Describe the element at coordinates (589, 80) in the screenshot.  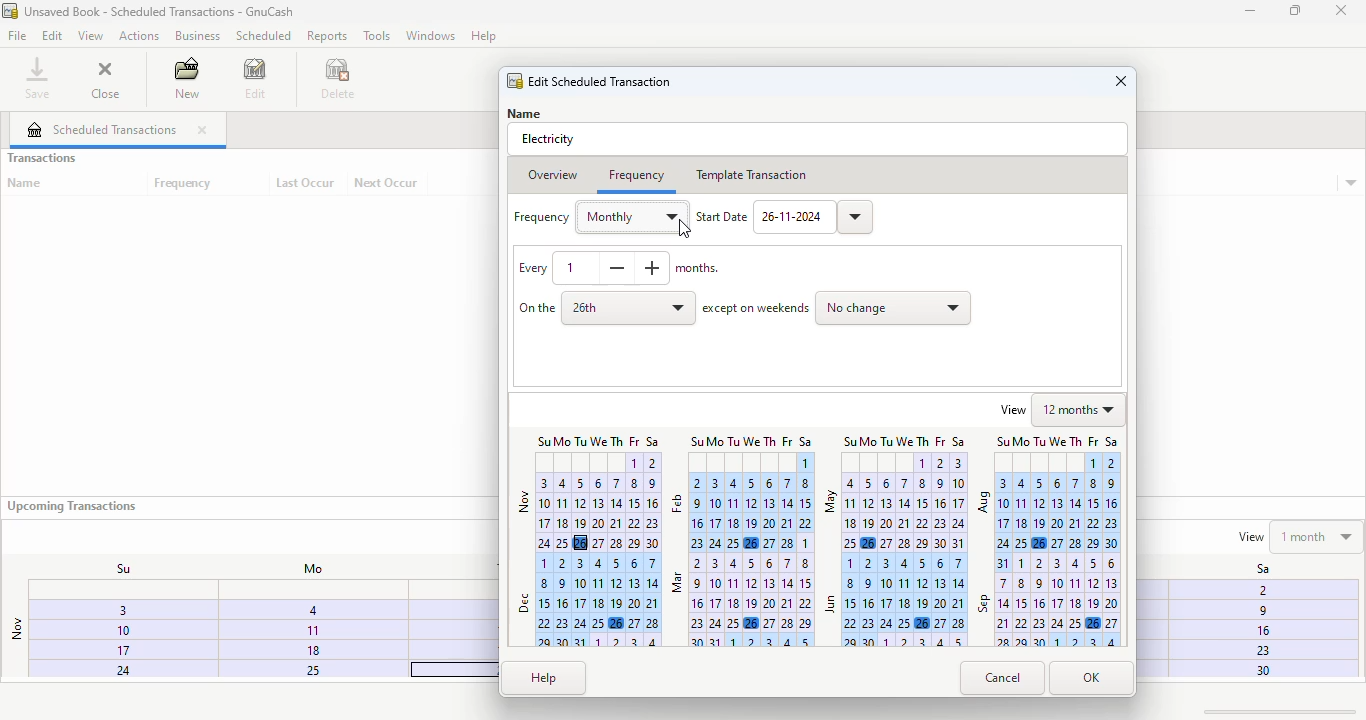
I see `dit Scheduled Transaction` at that location.